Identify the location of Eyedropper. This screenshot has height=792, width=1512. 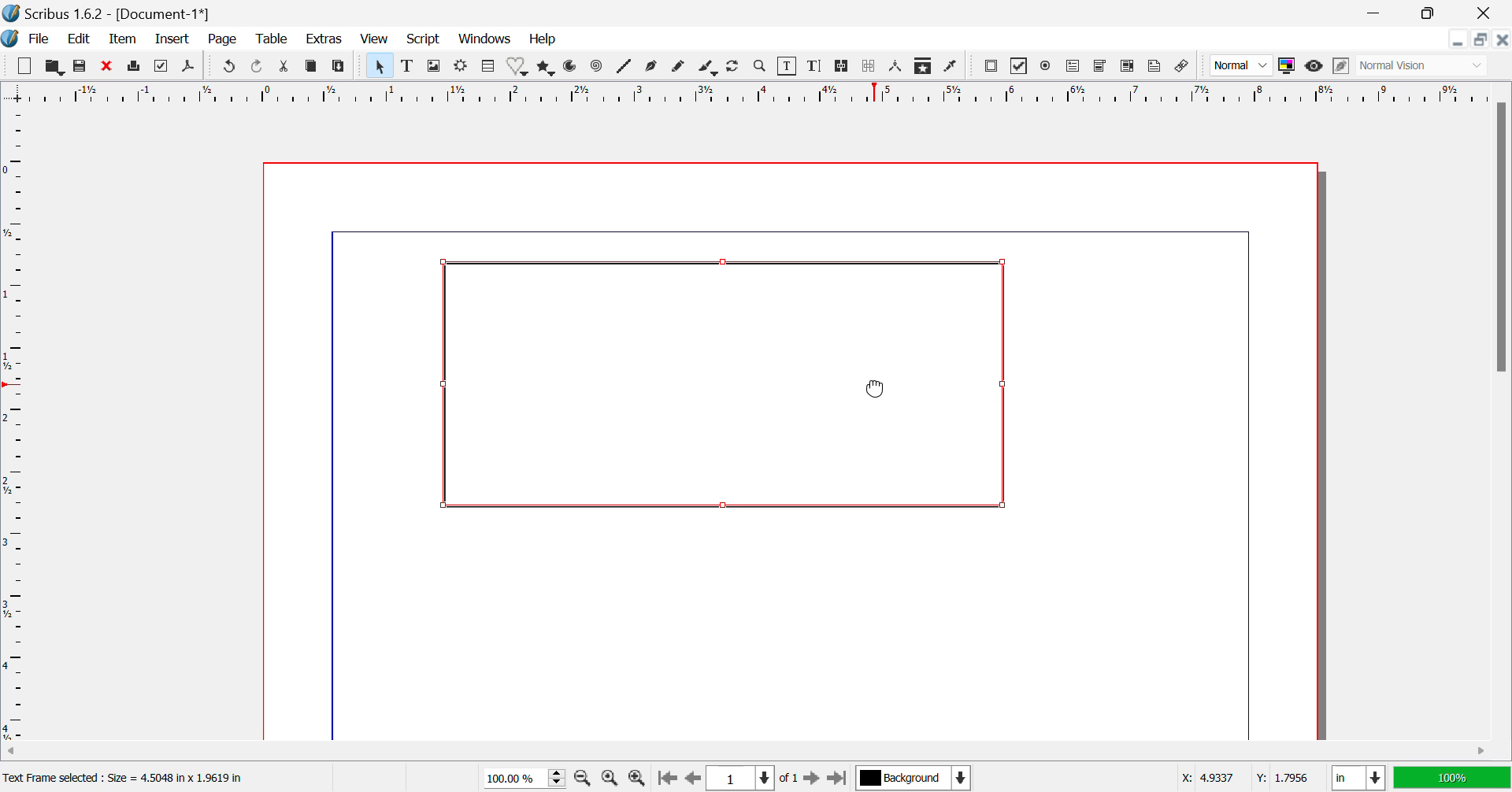
(953, 65).